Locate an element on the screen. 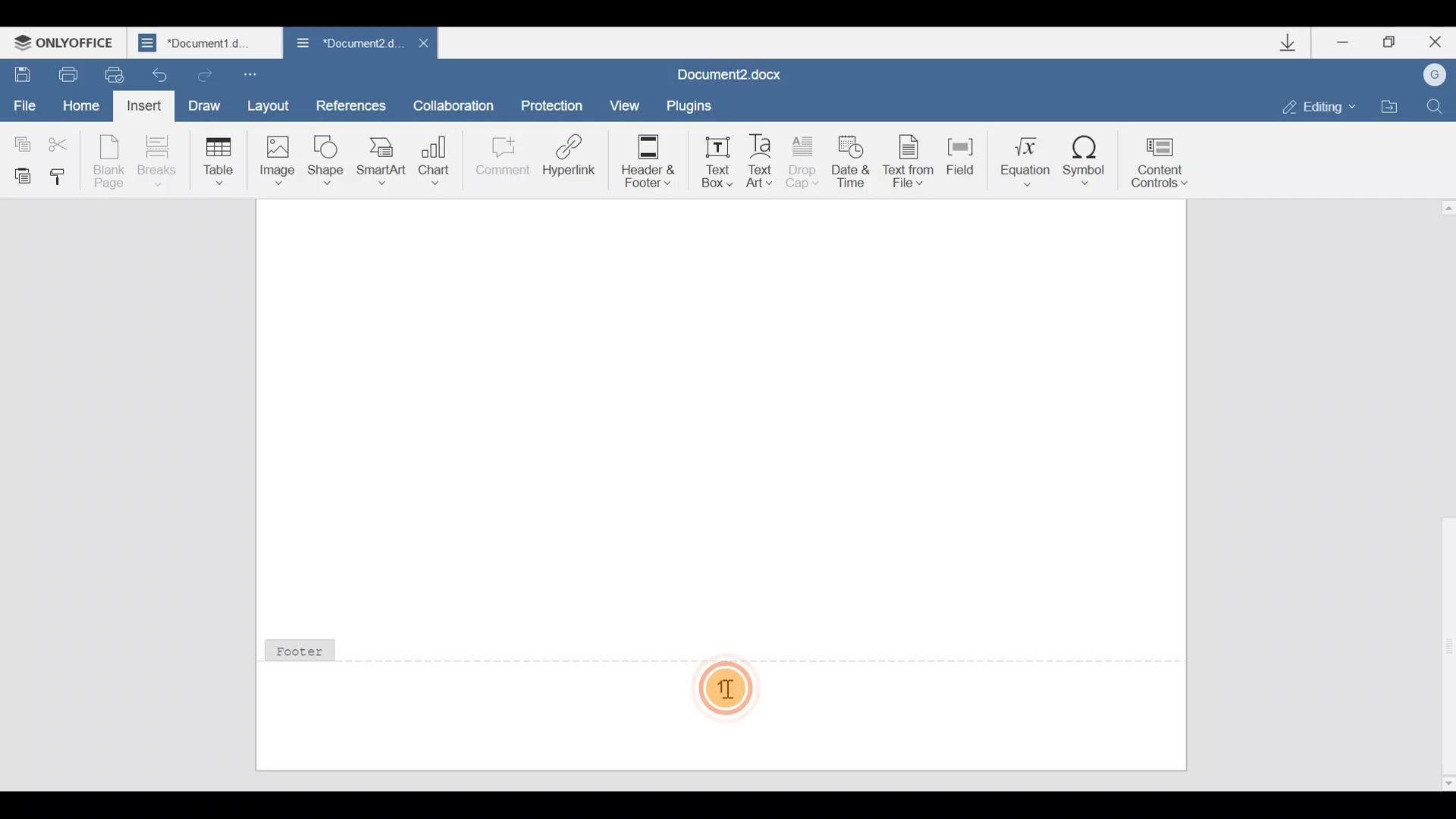 This screenshot has width=1456, height=819. Scroll bar is located at coordinates (1442, 492).